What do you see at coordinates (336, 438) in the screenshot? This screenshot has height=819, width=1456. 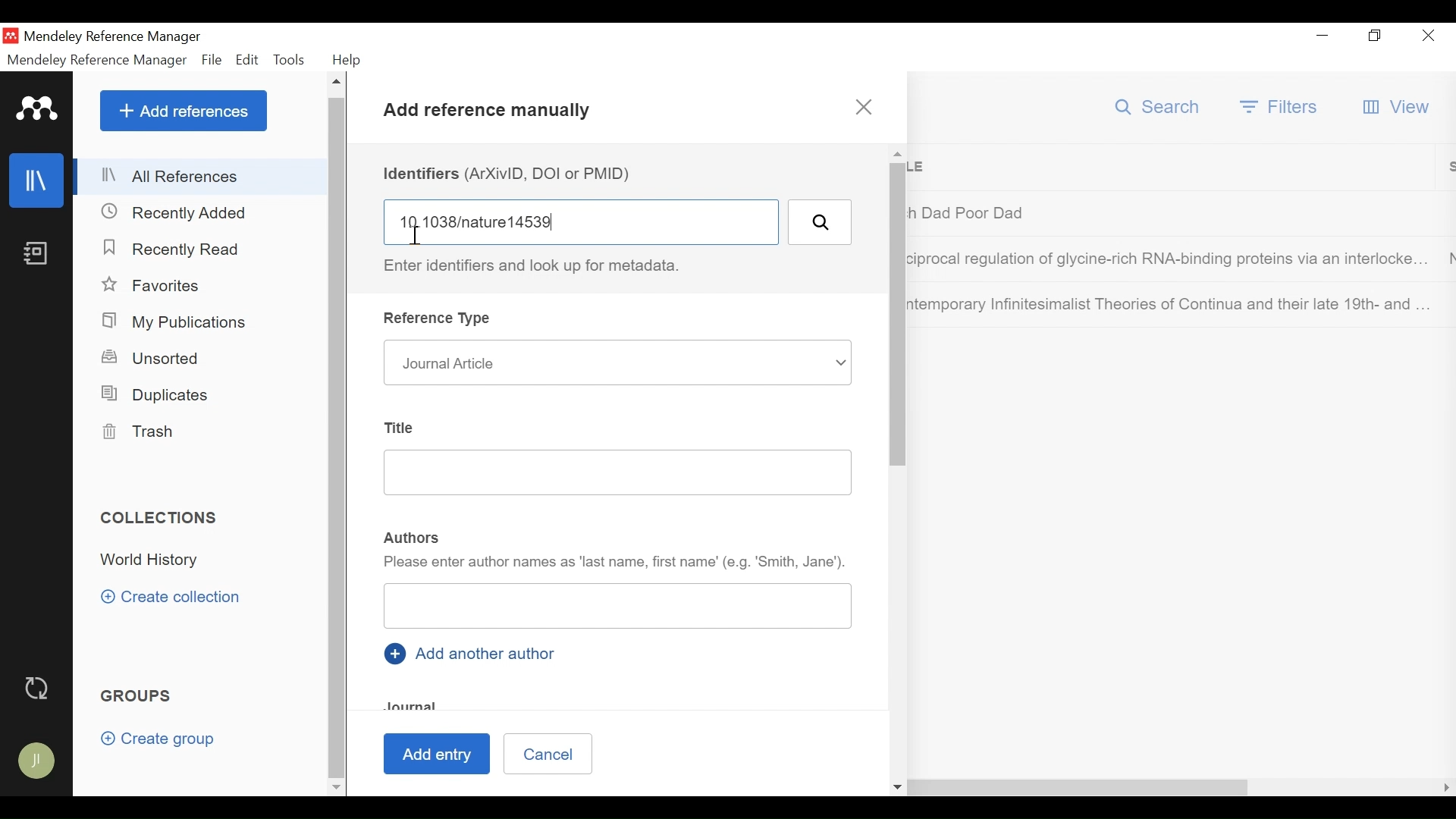 I see `Vertical Scroll bar` at bounding box center [336, 438].